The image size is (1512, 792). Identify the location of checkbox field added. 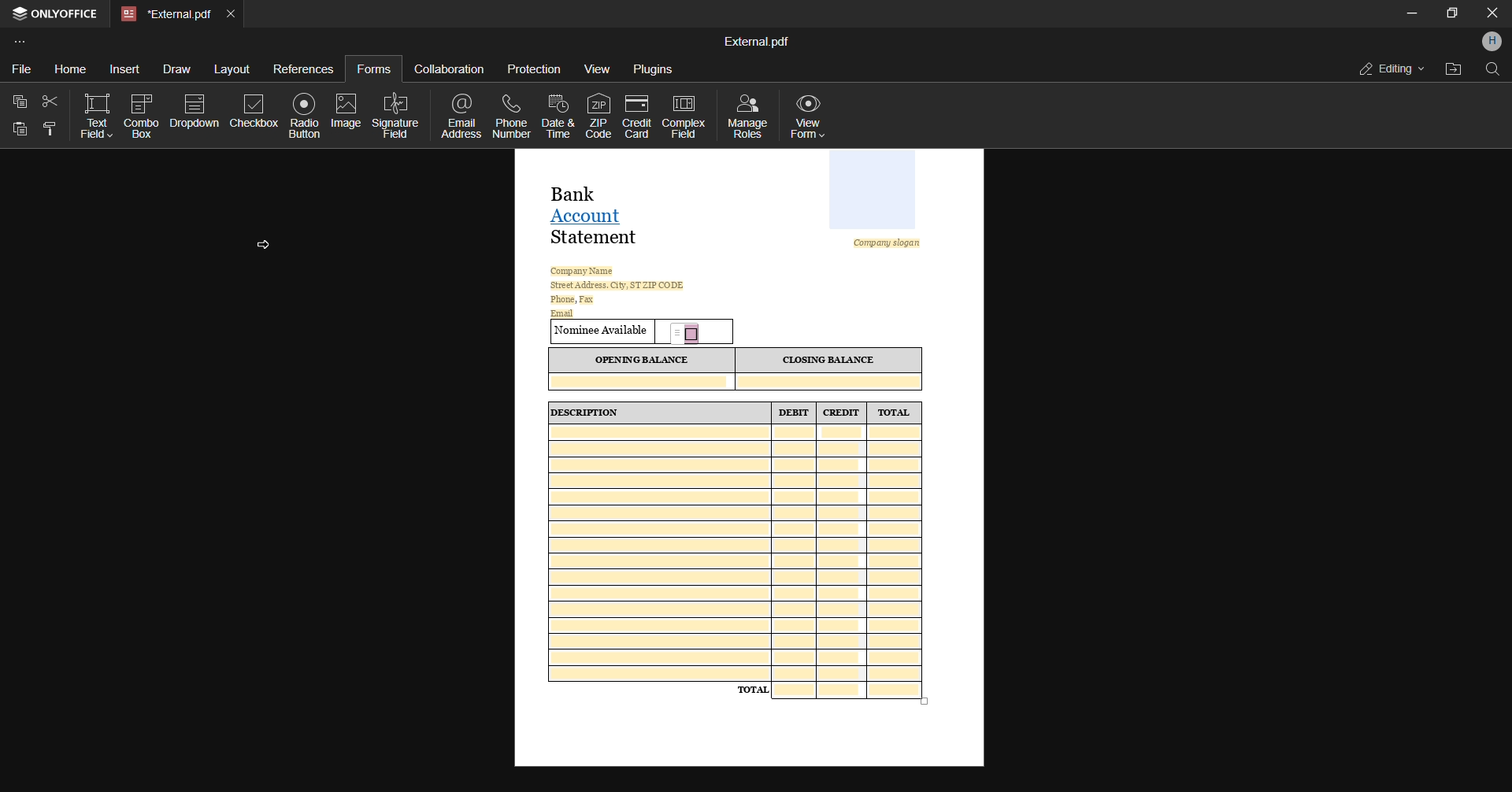
(691, 330).